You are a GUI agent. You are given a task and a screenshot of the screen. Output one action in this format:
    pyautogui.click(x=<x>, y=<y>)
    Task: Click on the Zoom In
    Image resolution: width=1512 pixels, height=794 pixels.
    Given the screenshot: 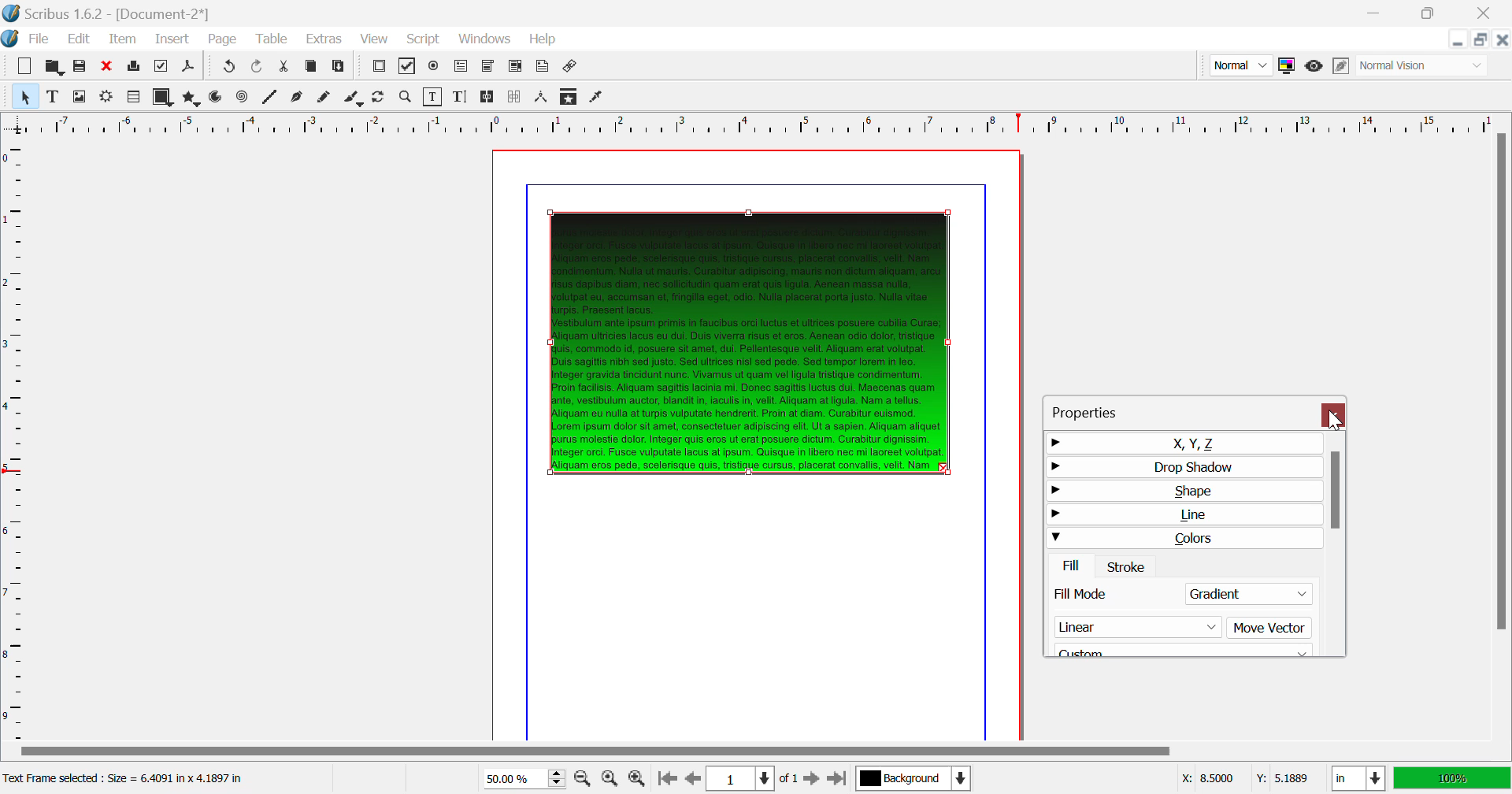 What is the action you would take?
    pyautogui.click(x=638, y=779)
    